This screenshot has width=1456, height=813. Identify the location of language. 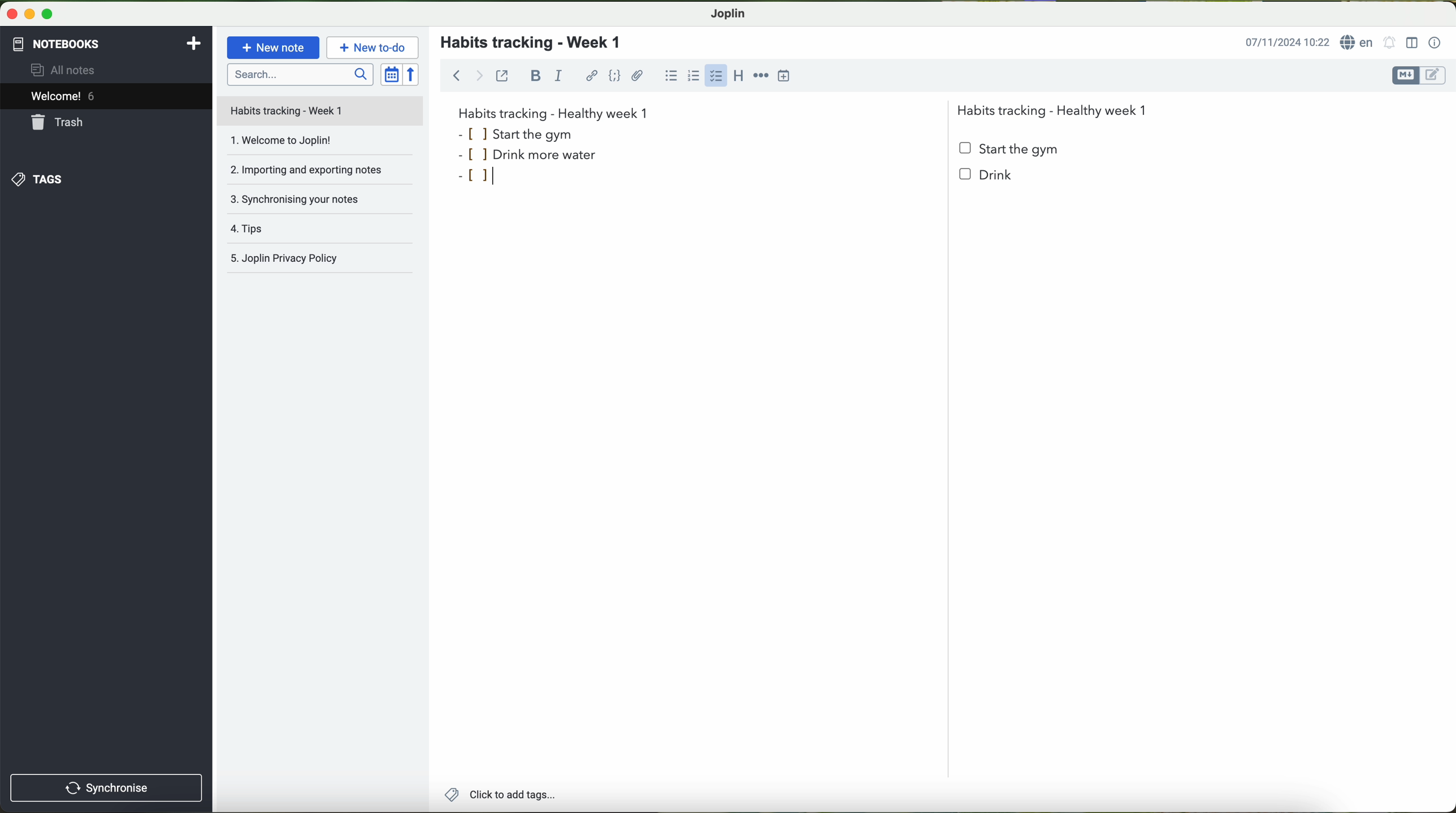
(1358, 42).